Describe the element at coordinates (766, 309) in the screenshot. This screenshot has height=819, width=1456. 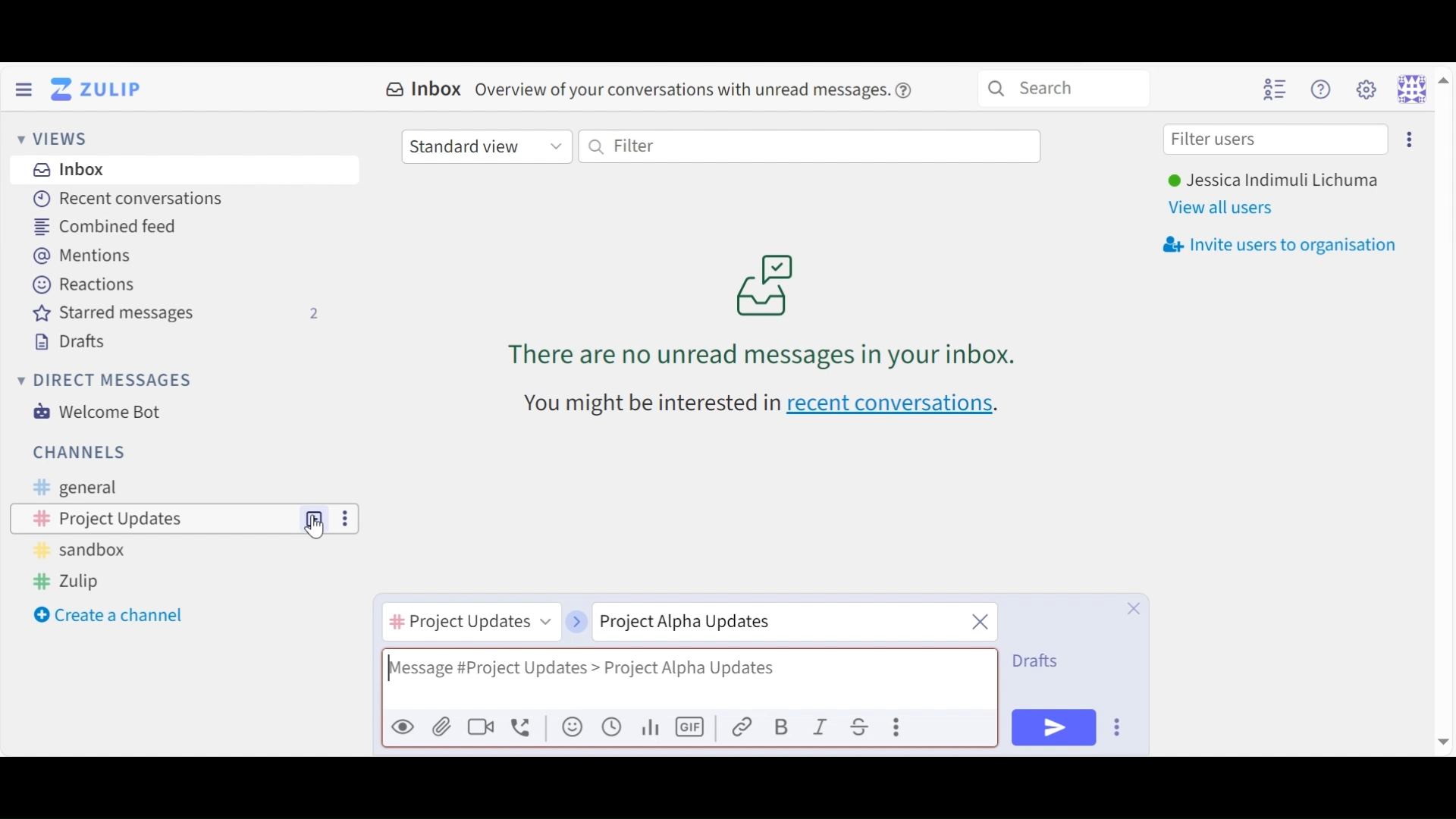
I see `no unread messages` at that location.